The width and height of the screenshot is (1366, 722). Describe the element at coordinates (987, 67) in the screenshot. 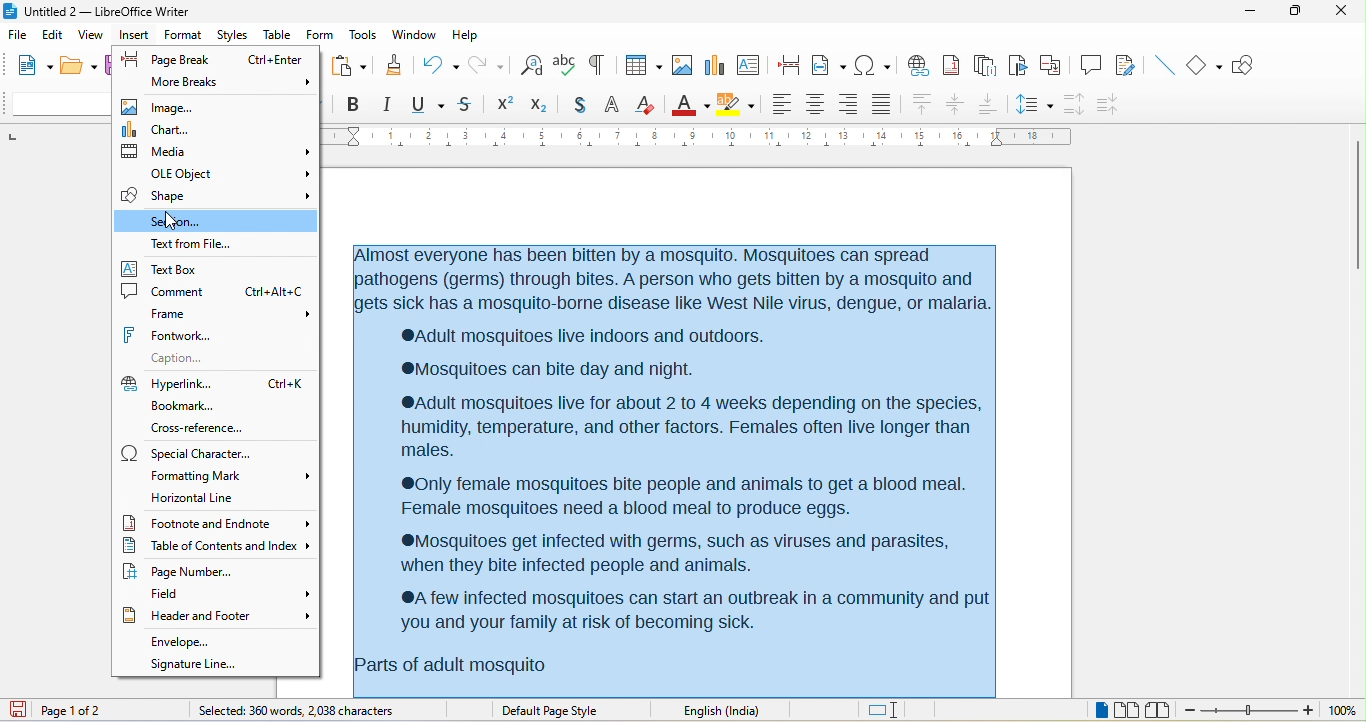

I see `endnote` at that location.